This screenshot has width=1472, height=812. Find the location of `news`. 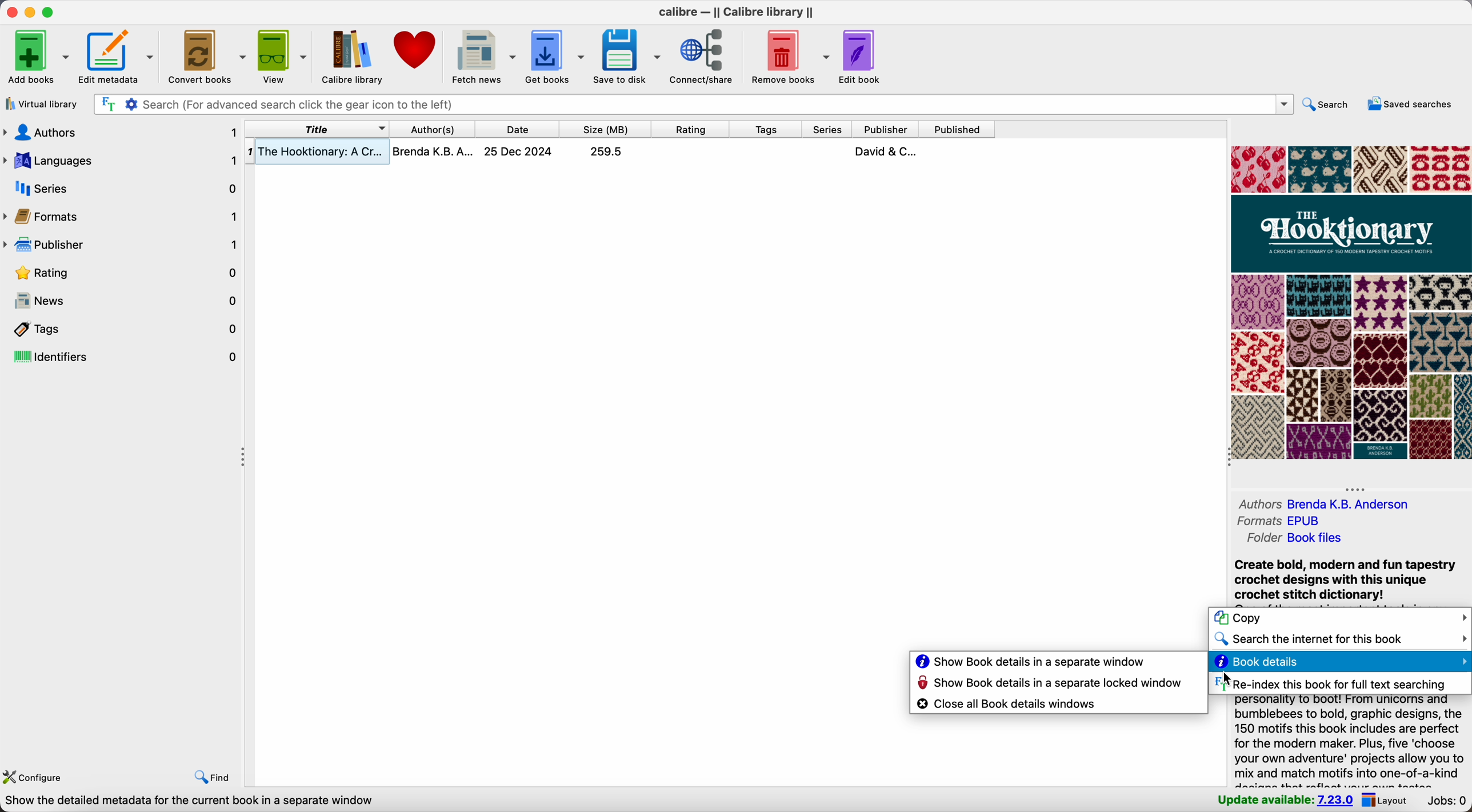

news is located at coordinates (123, 302).